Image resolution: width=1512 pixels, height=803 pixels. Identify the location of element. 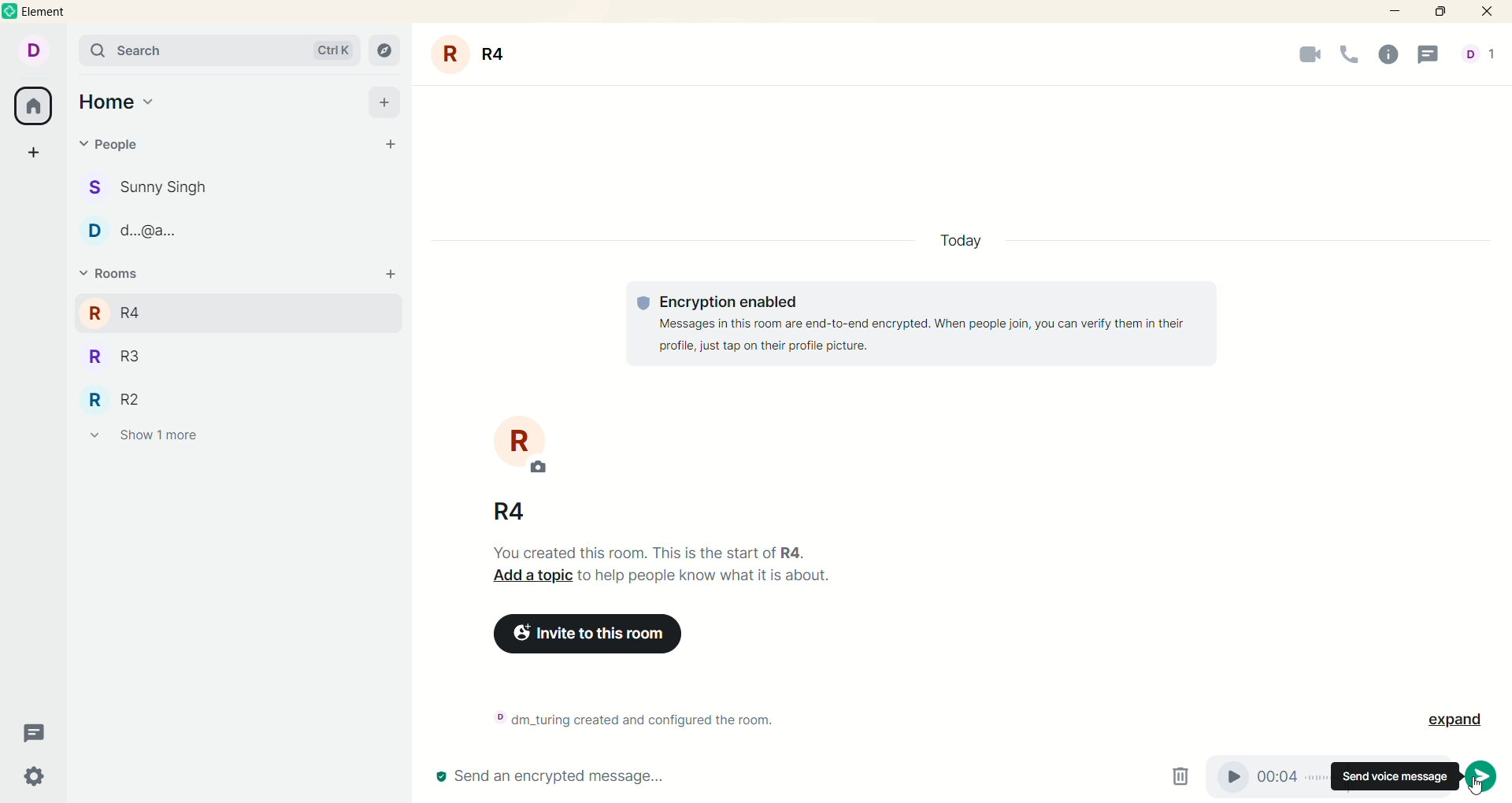
(54, 12).